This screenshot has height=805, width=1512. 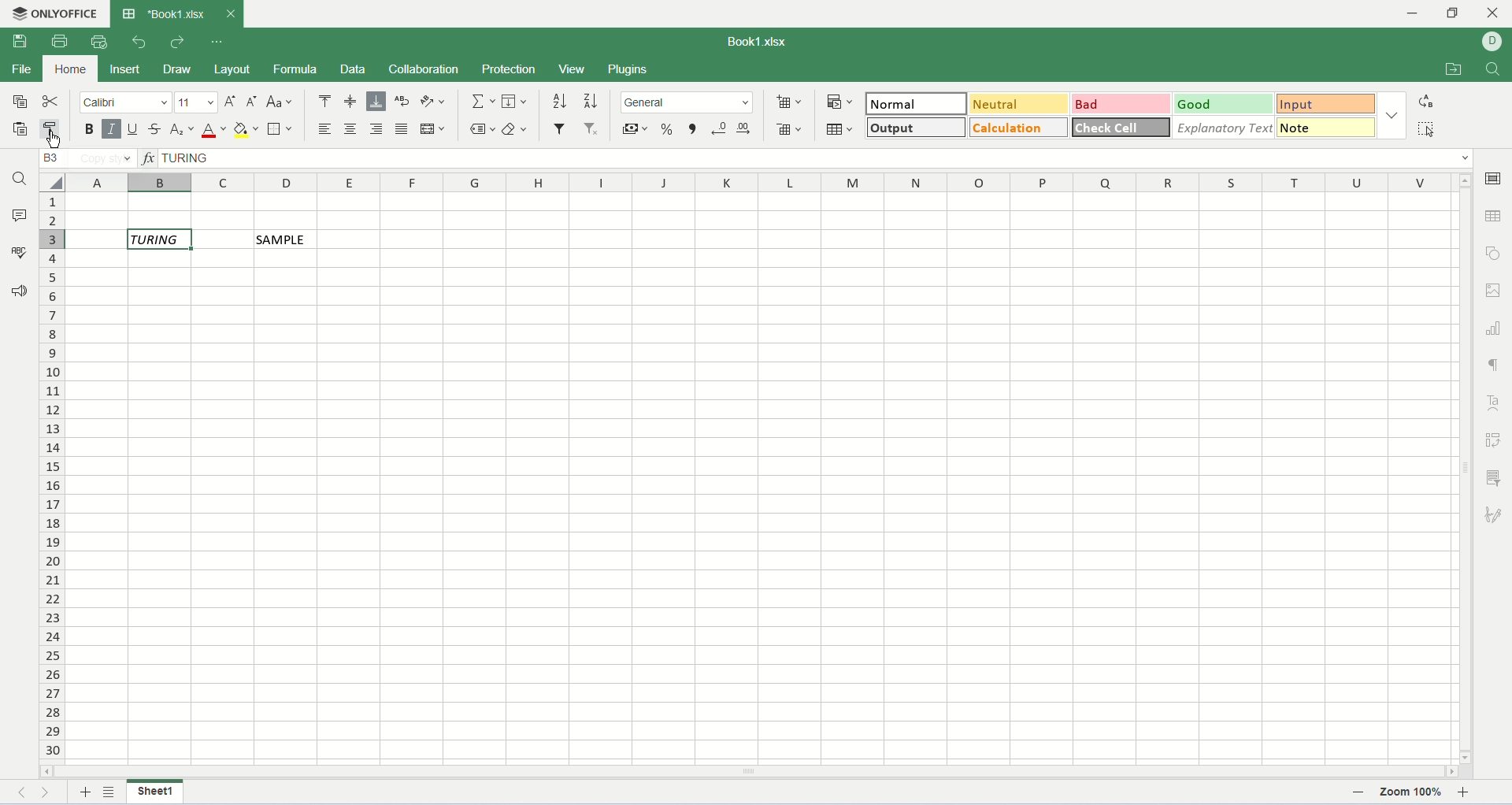 What do you see at coordinates (1494, 477) in the screenshot?
I see `slicer settings` at bounding box center [1494, 477].